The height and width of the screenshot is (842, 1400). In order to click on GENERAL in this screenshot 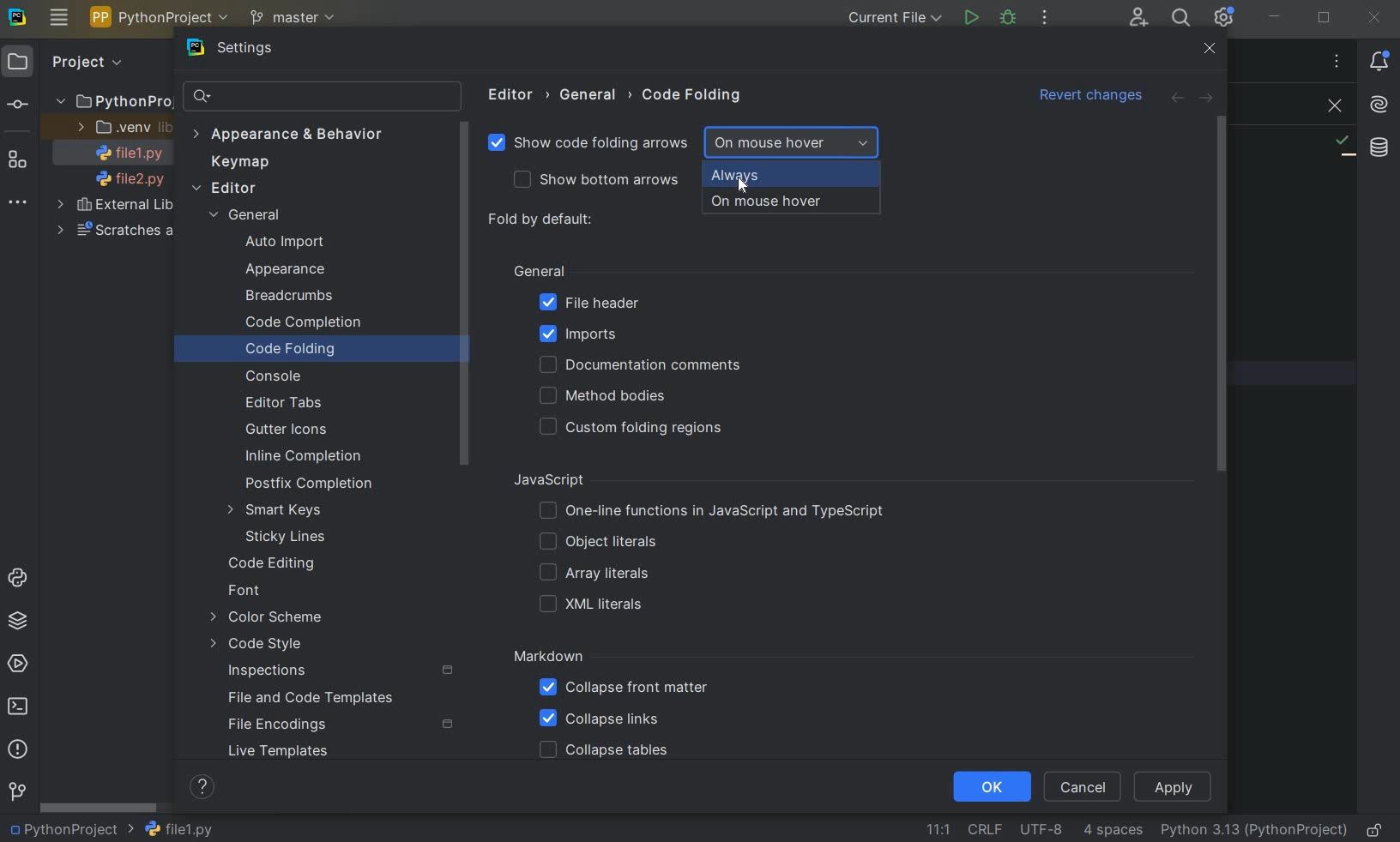, I will do `click(252, 217)`.